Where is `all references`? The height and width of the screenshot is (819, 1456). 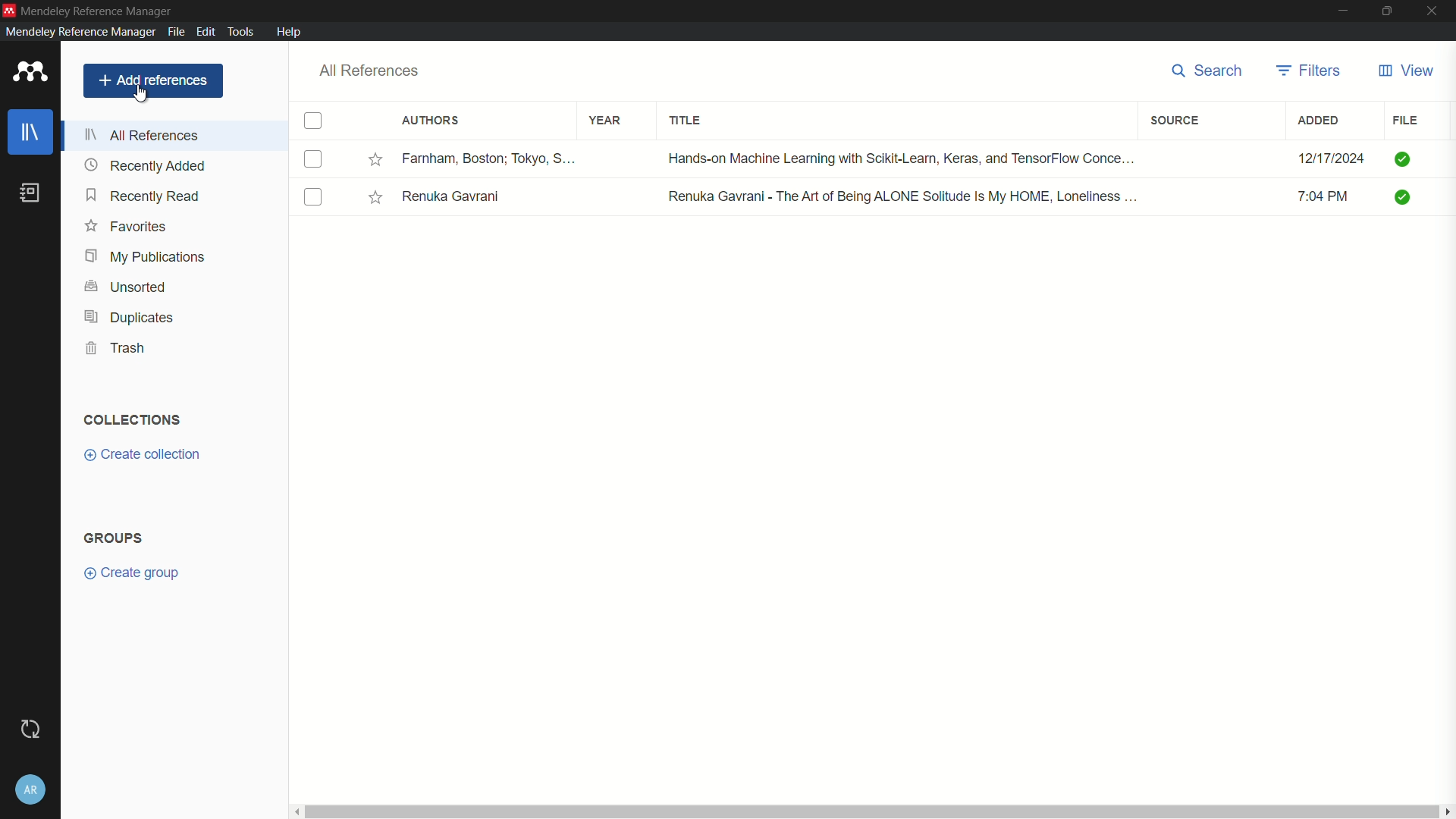
all references is located at coordinates (142, 136).